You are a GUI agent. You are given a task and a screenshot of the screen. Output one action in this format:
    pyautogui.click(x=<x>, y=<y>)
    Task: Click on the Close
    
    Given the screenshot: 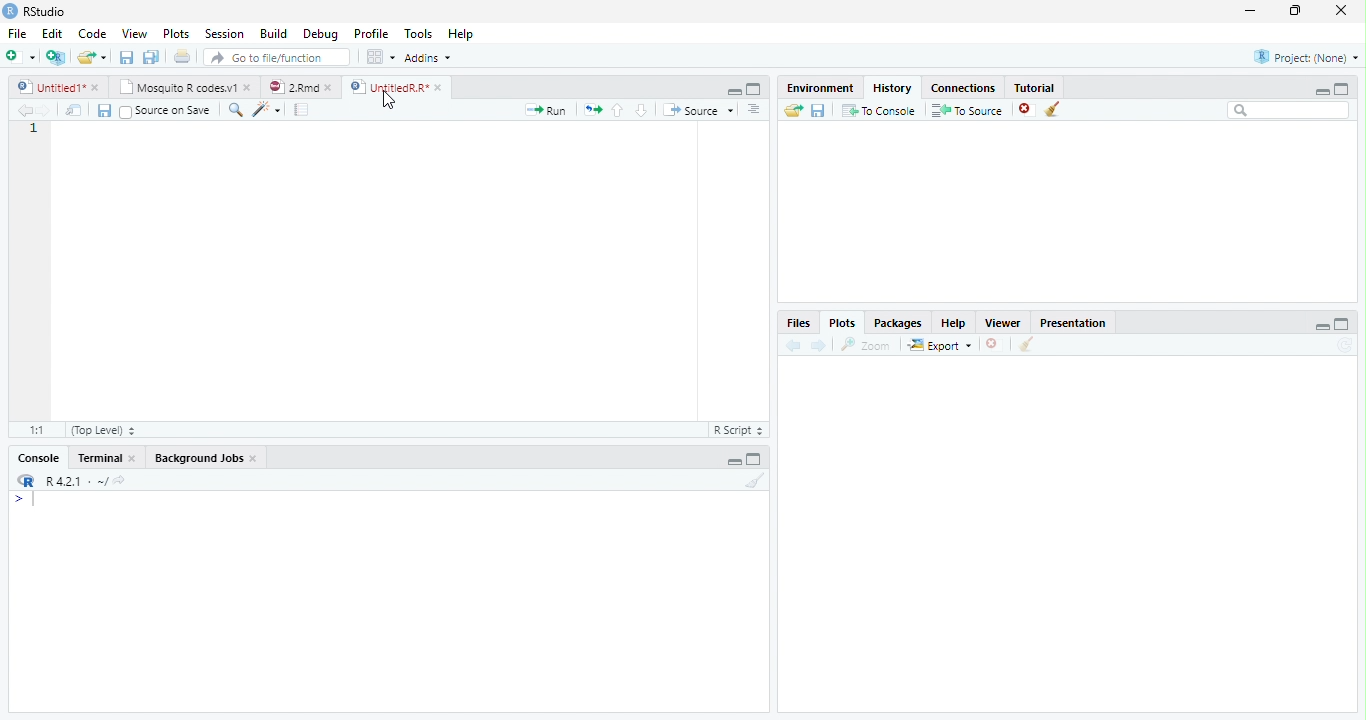 What is the action you would take?
    pyautogui.click(x=1336, y=12)
    